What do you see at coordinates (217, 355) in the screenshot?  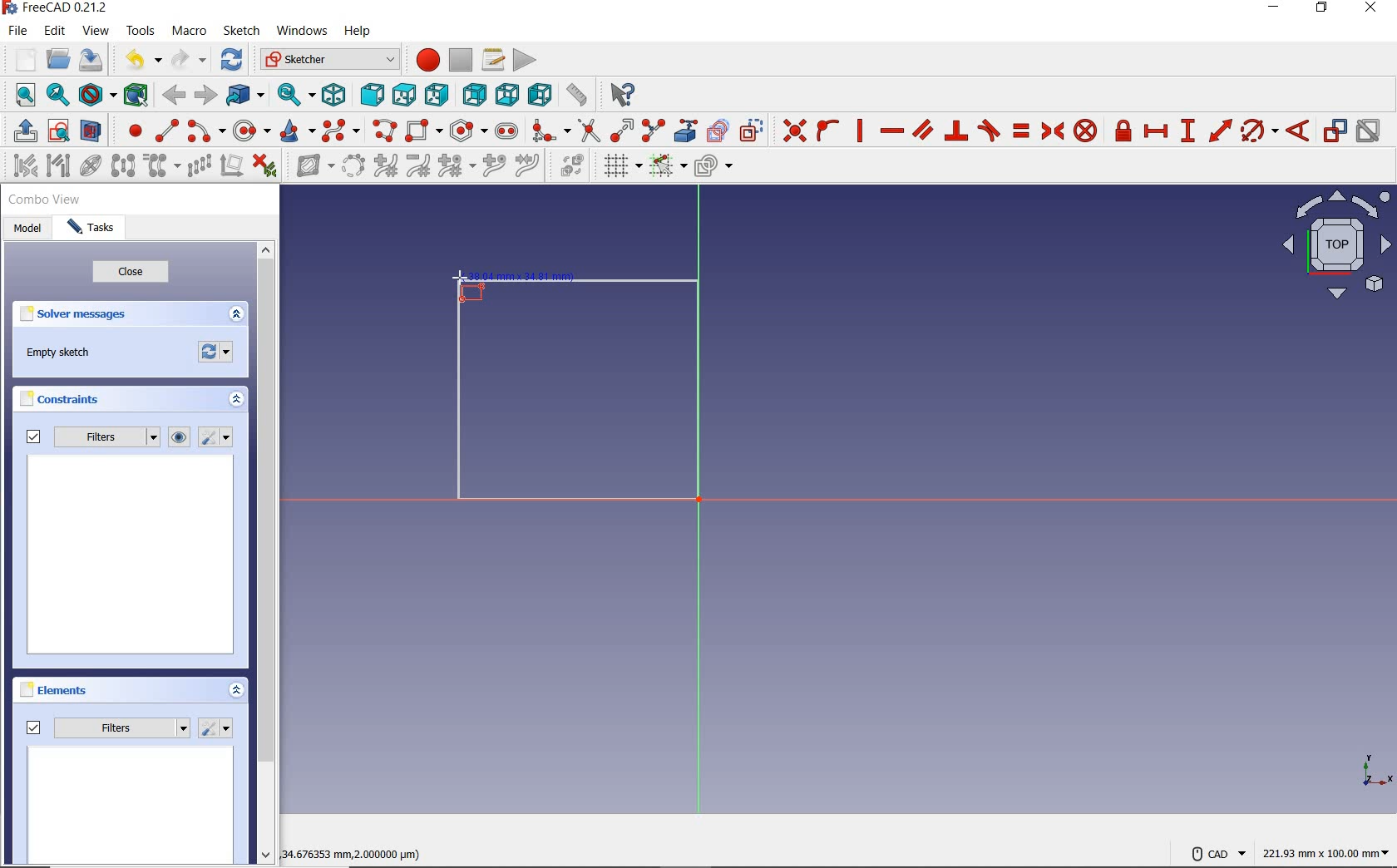 I see `forces recomputation of active document` at bounding box center [217, 355].